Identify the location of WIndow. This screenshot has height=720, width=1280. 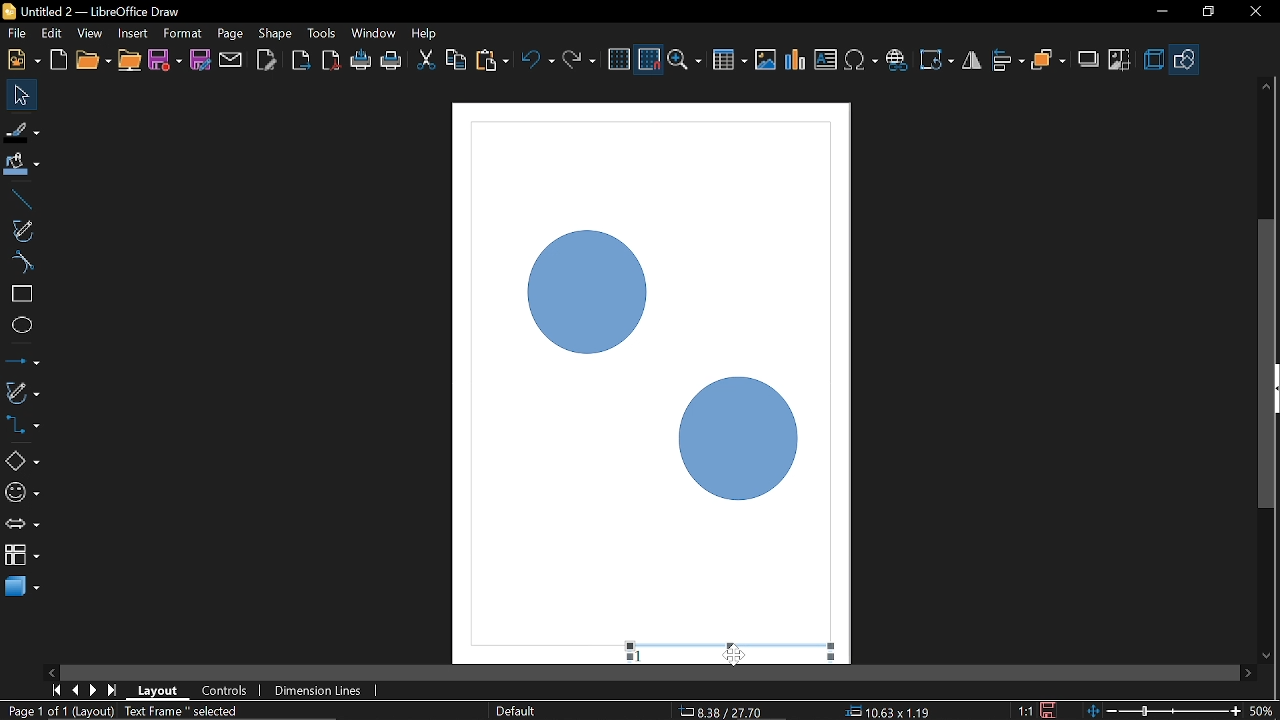
(374, 33).